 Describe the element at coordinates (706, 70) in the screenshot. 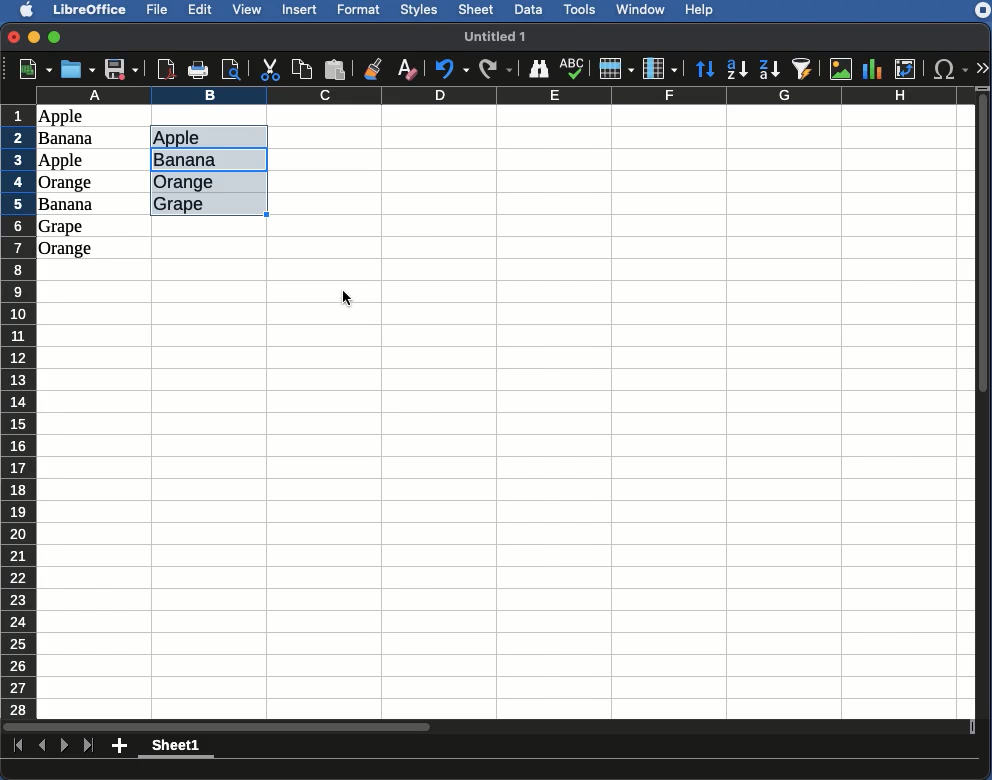

I see `Sort` at that location.